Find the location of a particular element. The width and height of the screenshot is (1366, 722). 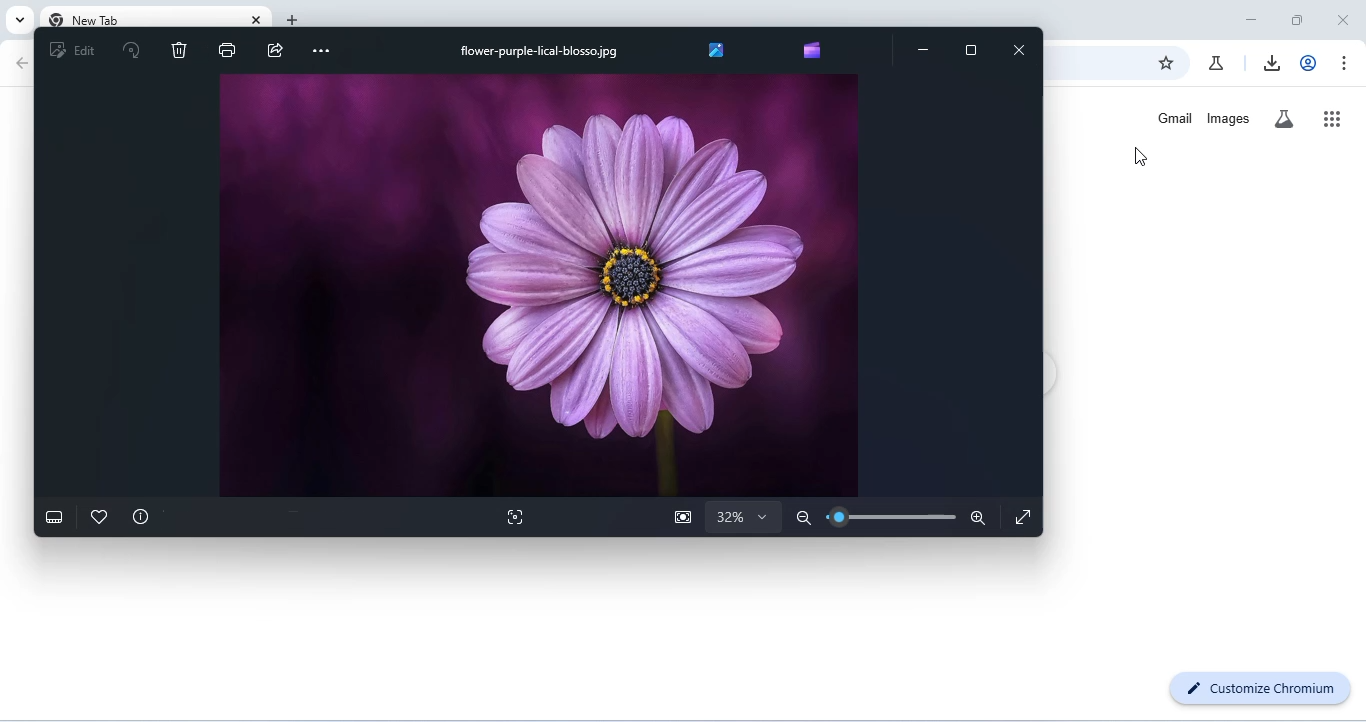

add bookmark is located at coordinates (1165, 62).